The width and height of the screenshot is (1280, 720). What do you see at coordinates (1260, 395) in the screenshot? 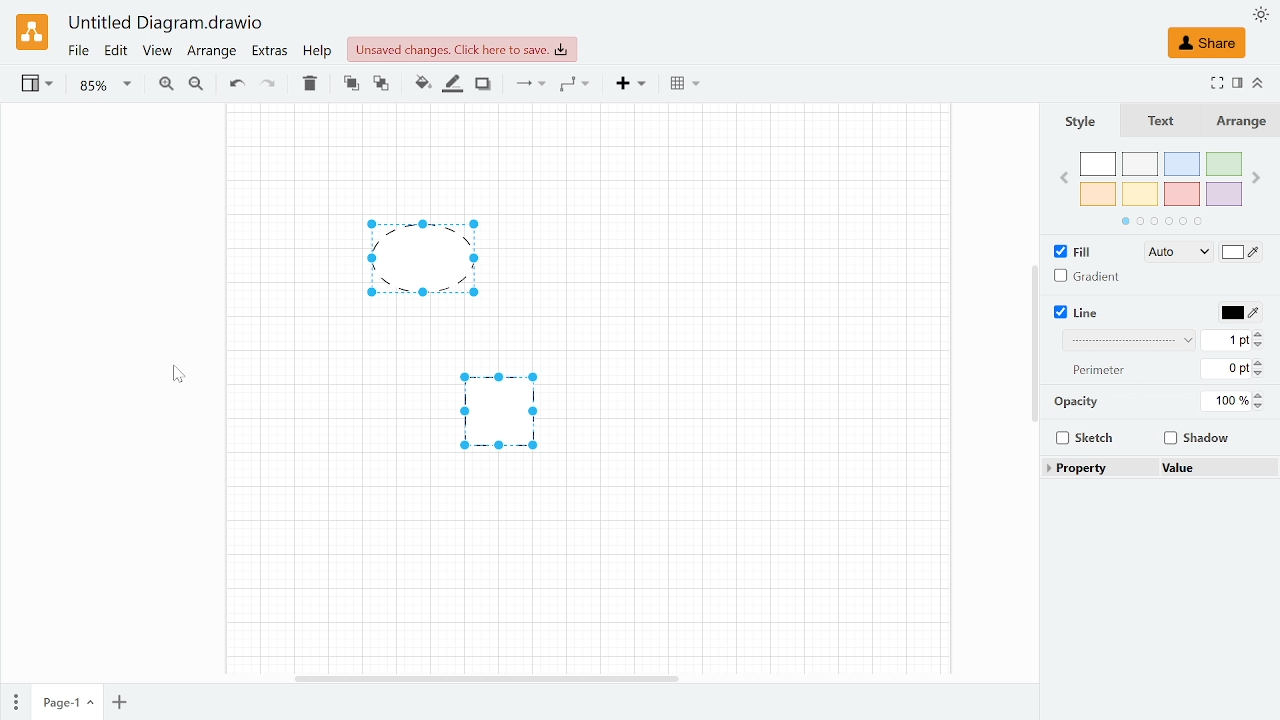
I see `Increase Opacity` at bounding box center [1260, 395].